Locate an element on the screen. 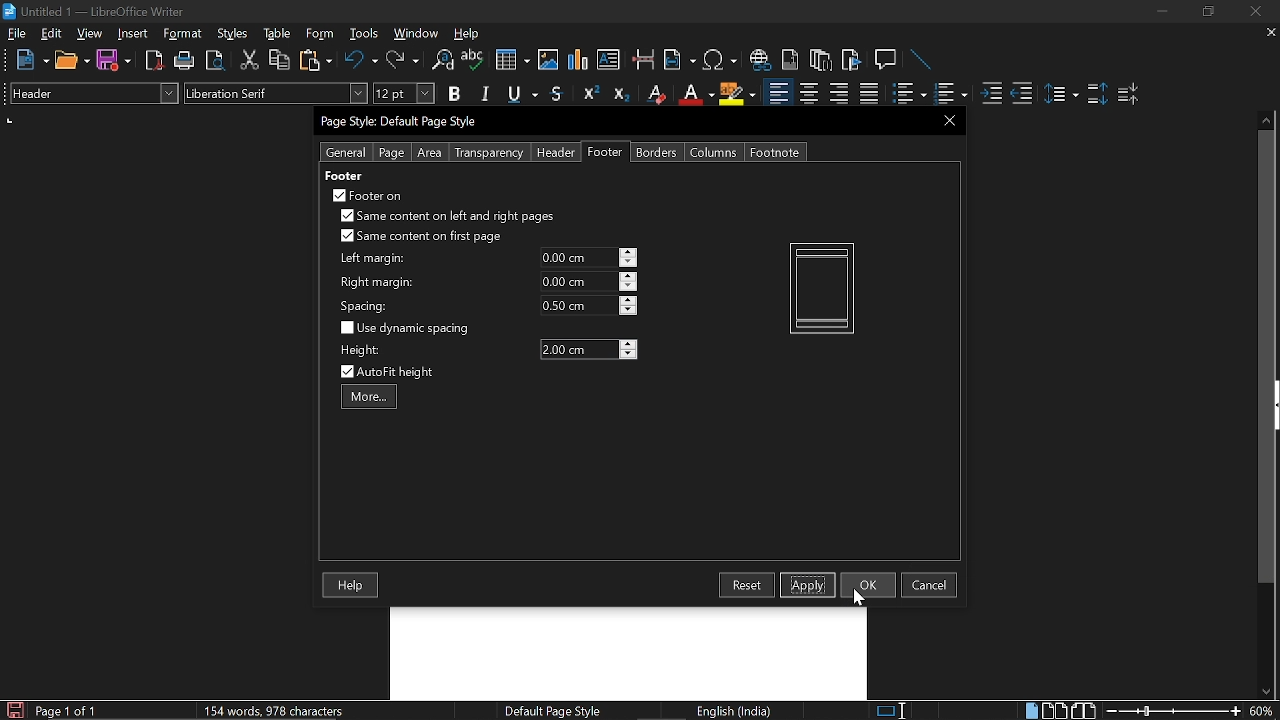 The height and width of the screenshot is (720, 1280). decrease right margin is located at coordinates (629, 288).